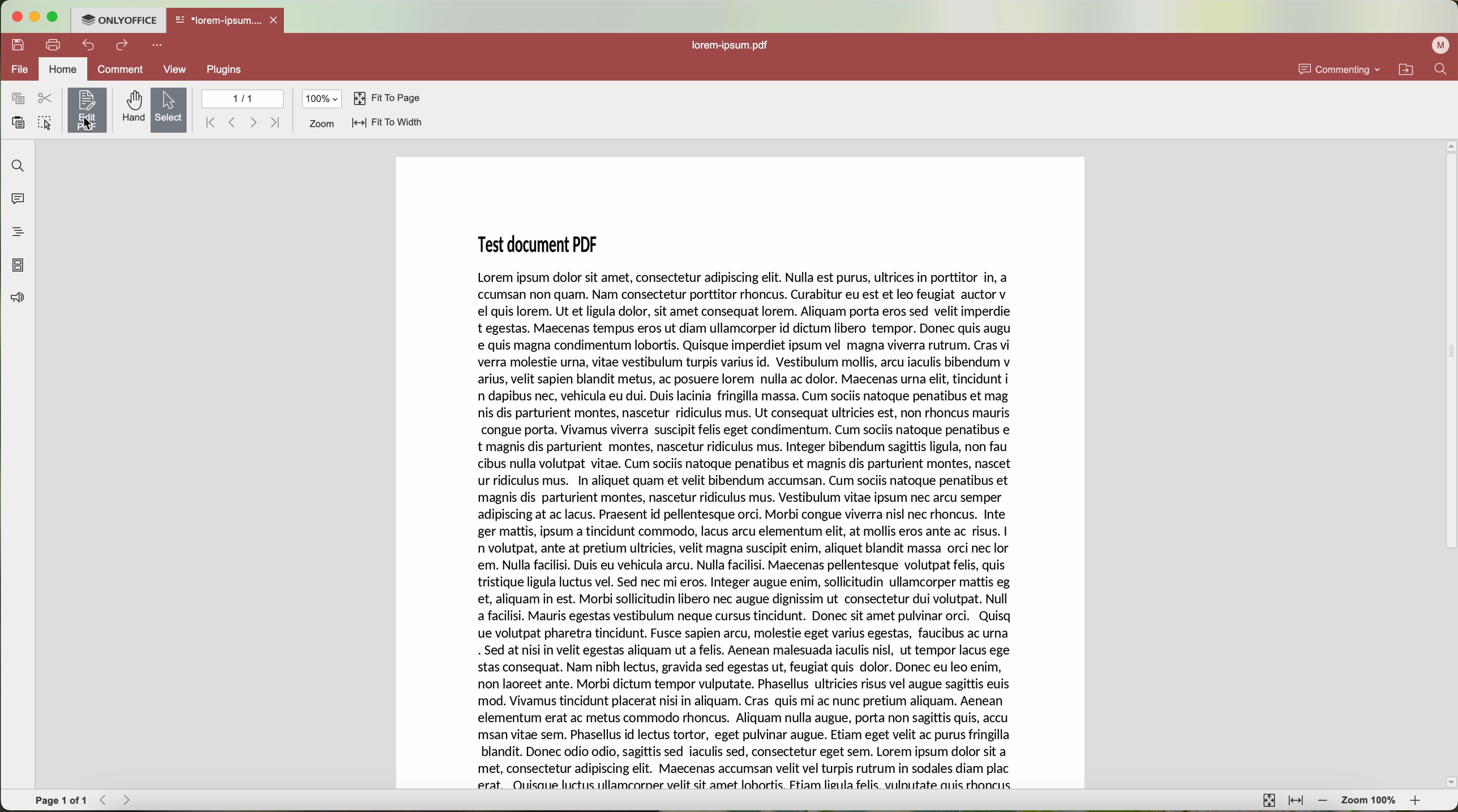  Describe the element at coordinates (16, 15) in the screenshot. I see `close program` at that location.